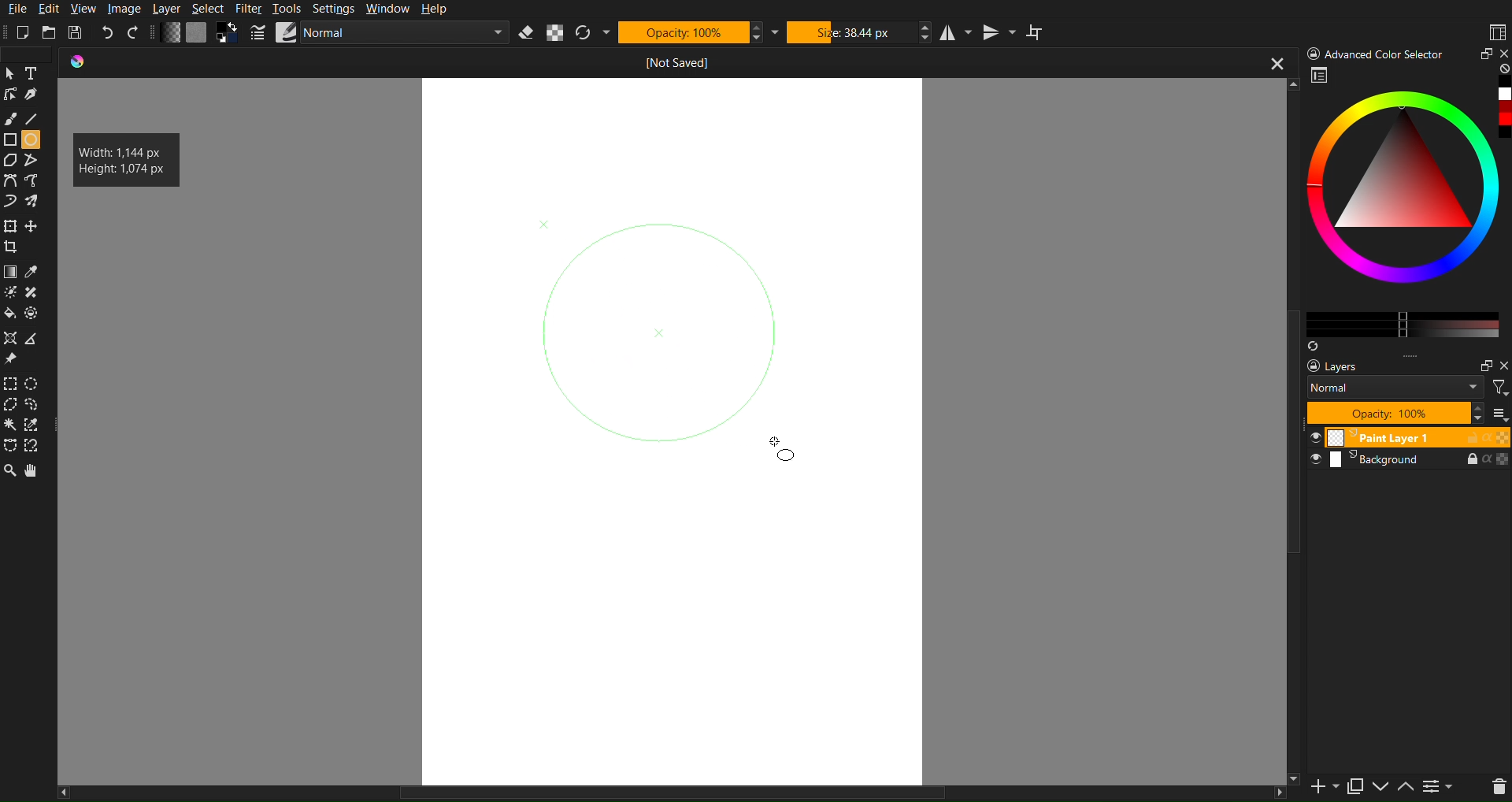  Describe the element at coordinates (1314, 72) in the screenshot. I see `workspace` at that location.